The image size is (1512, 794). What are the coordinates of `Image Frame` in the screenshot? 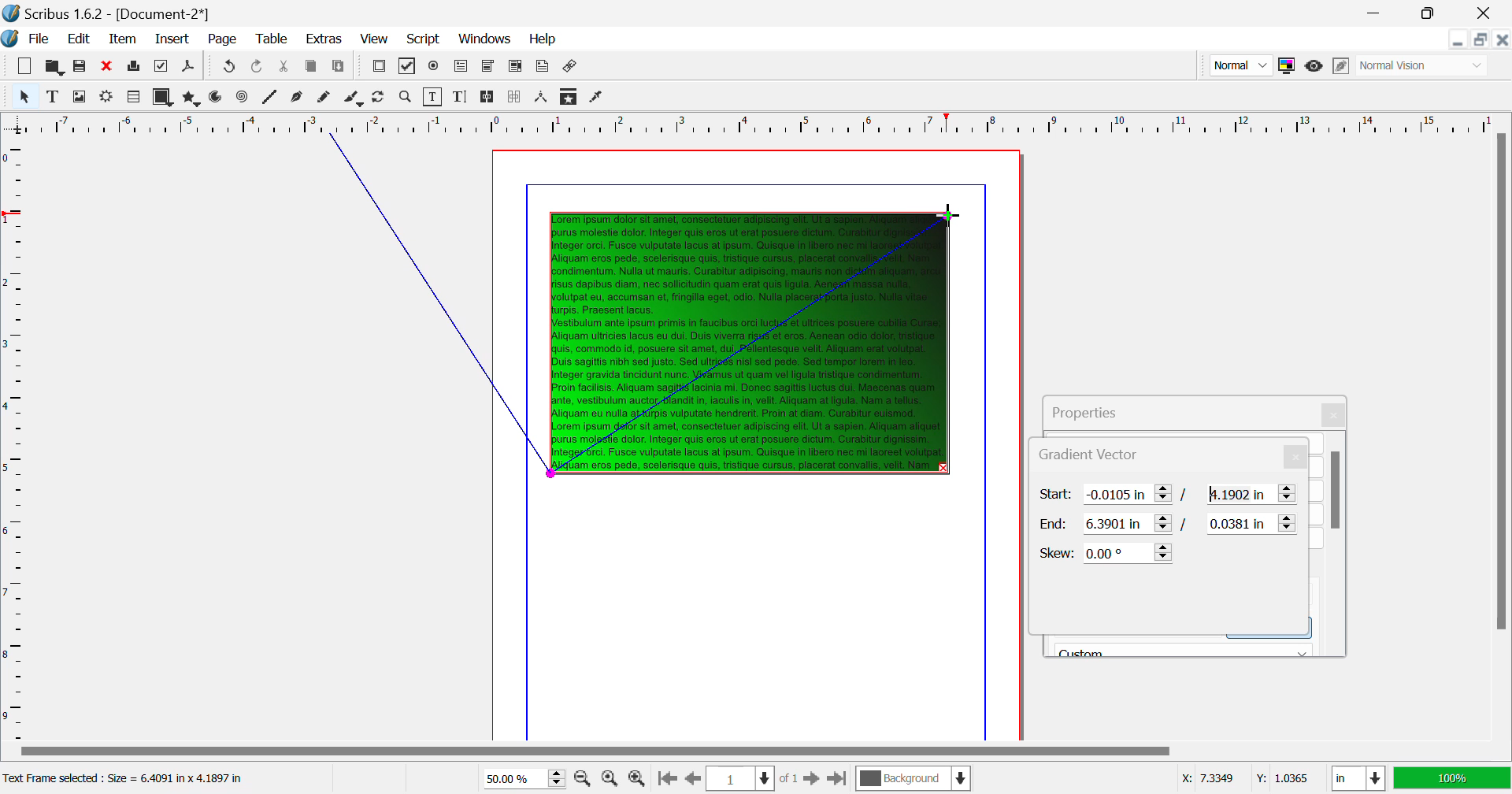 It's located at (79, 96).